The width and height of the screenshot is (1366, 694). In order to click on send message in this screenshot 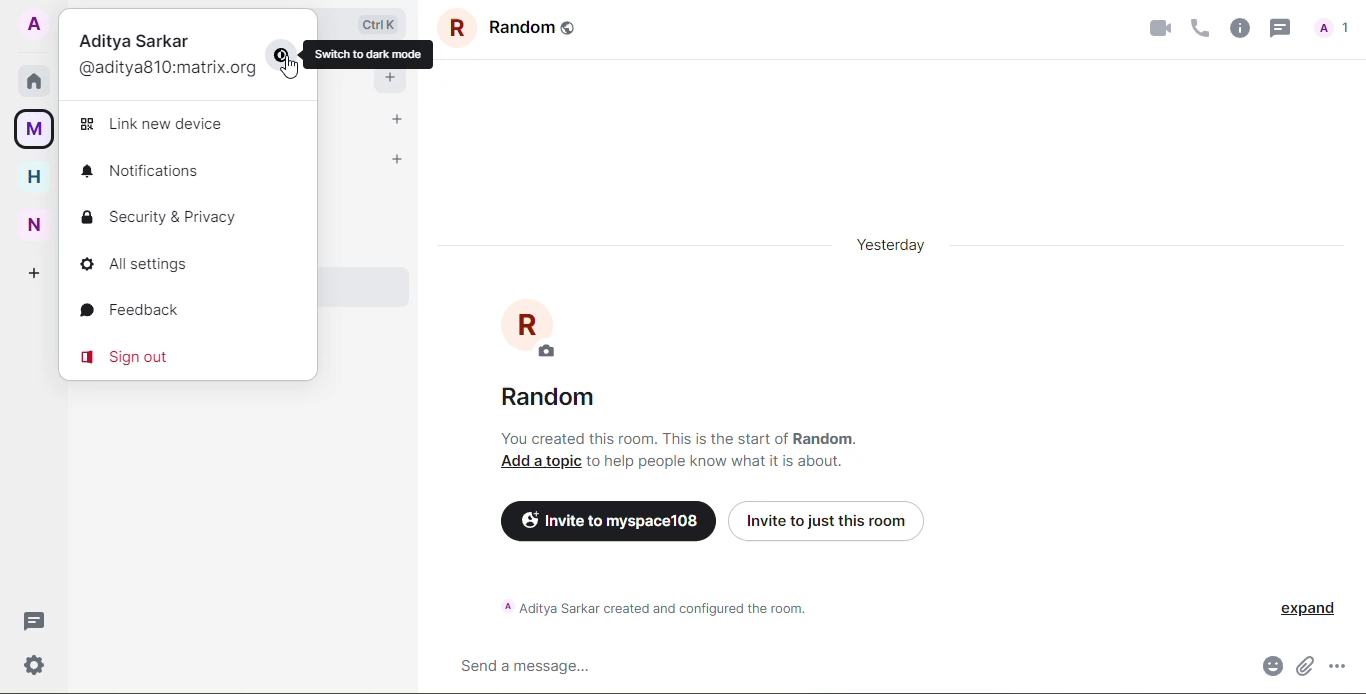, I will do `click(533, 665)`.